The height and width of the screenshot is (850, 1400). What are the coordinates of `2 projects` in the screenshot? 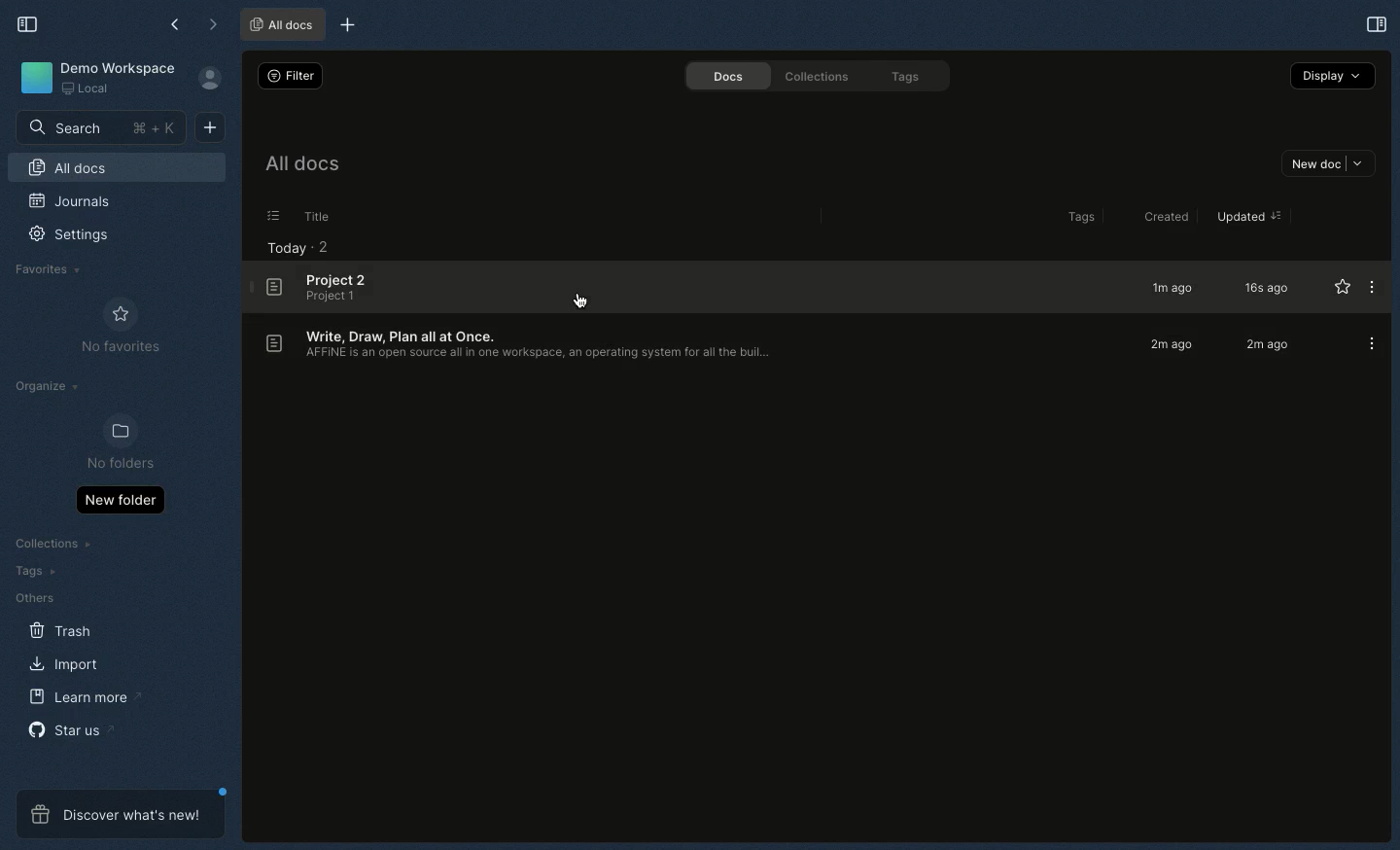 It's located at (323, 249).